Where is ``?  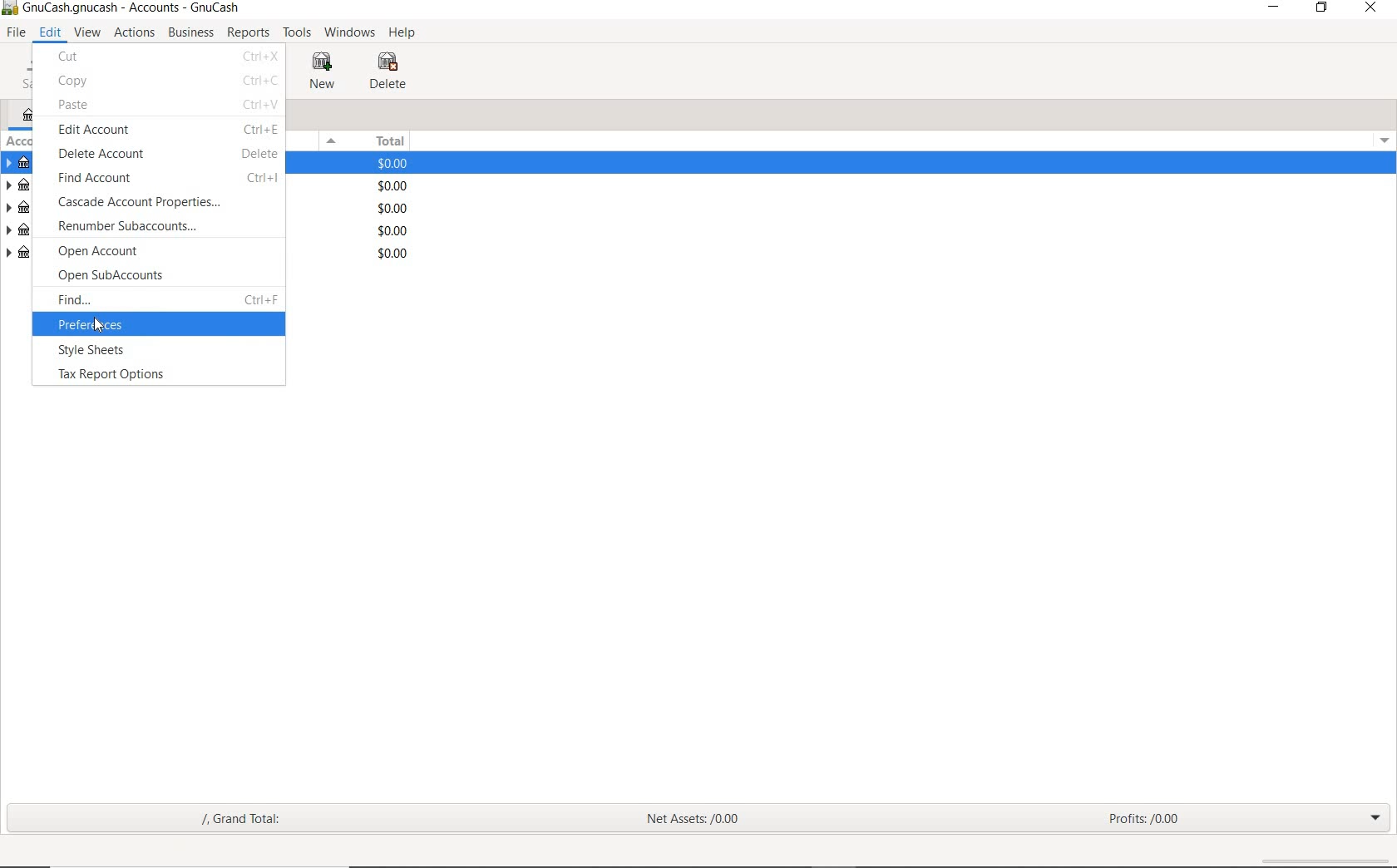  is located at coordinates (12, 9).